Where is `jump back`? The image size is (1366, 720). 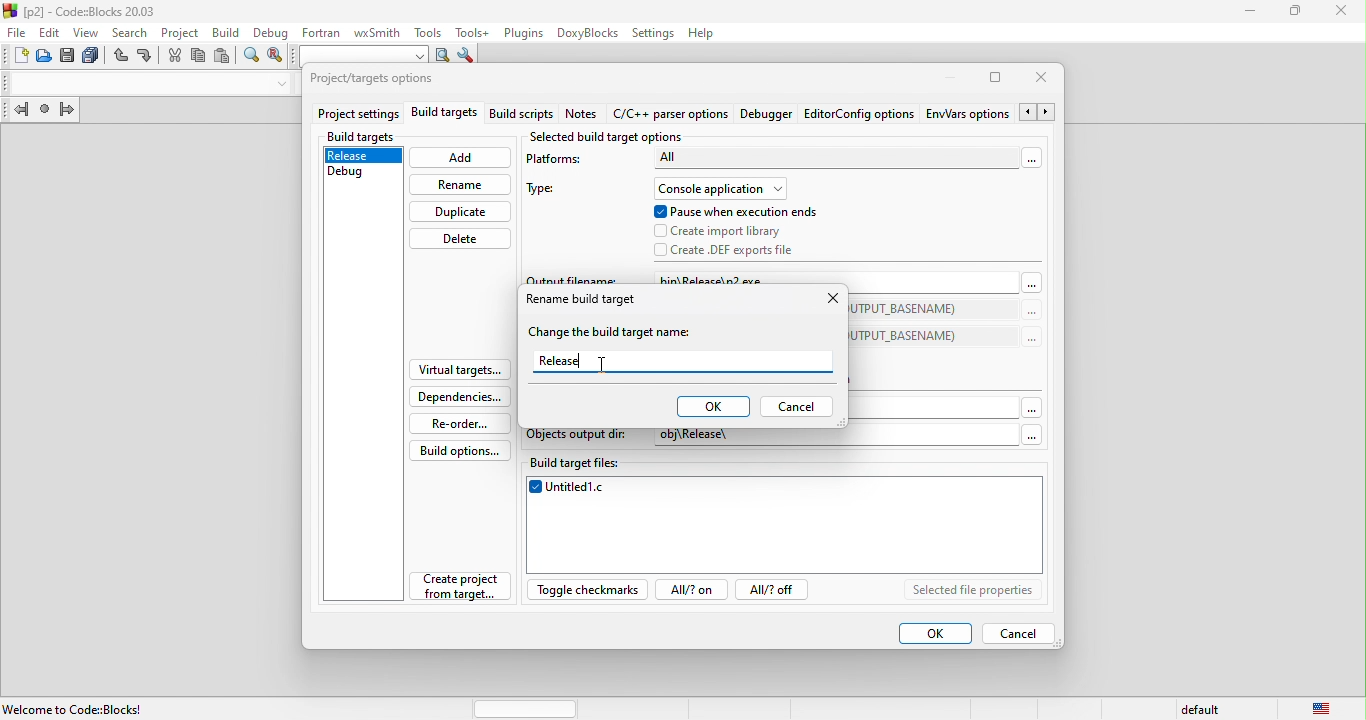
jump back is located at coordinates (17, 112).